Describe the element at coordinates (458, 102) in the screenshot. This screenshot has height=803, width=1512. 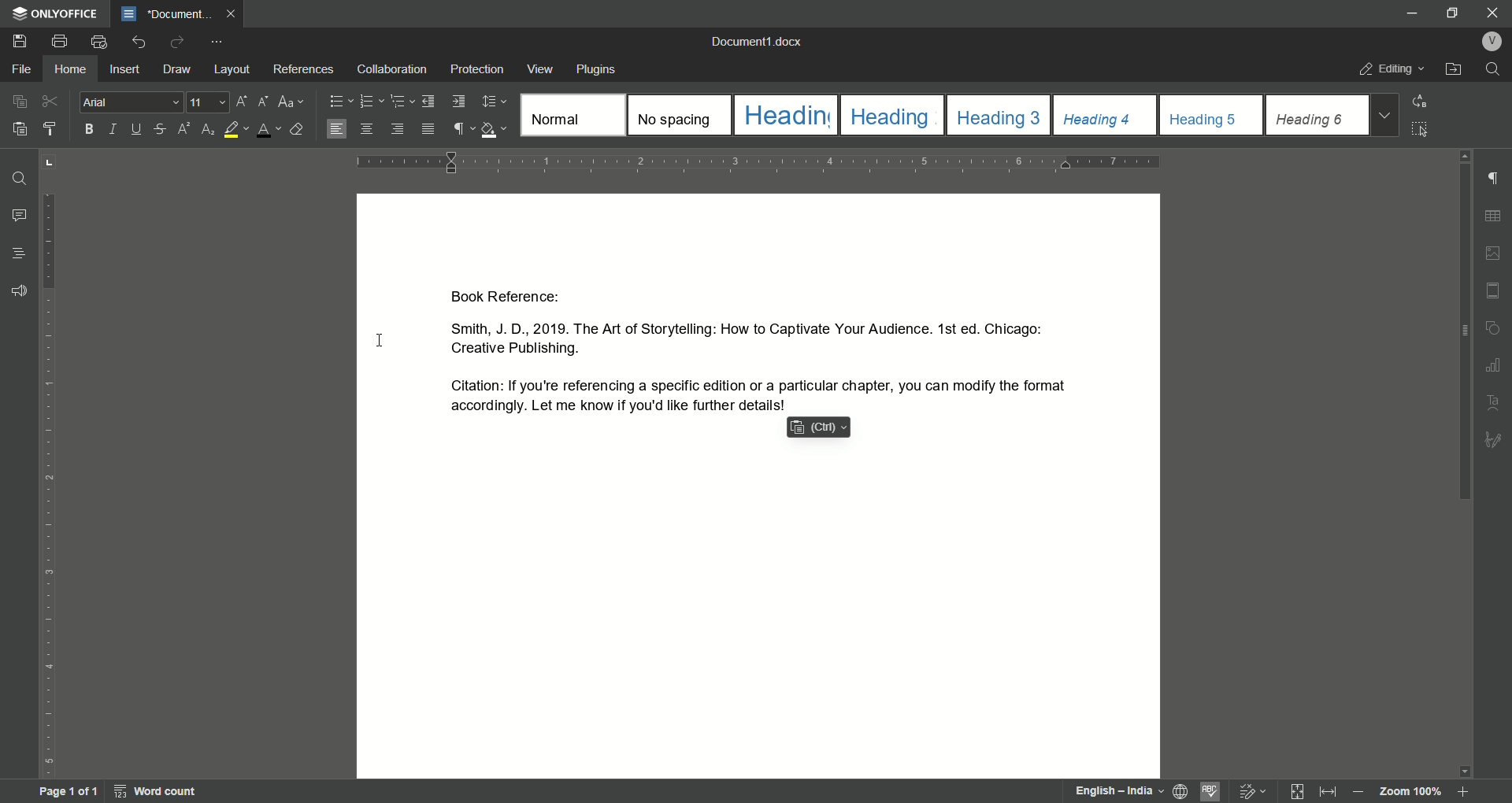
I see `increase indent` at that location.